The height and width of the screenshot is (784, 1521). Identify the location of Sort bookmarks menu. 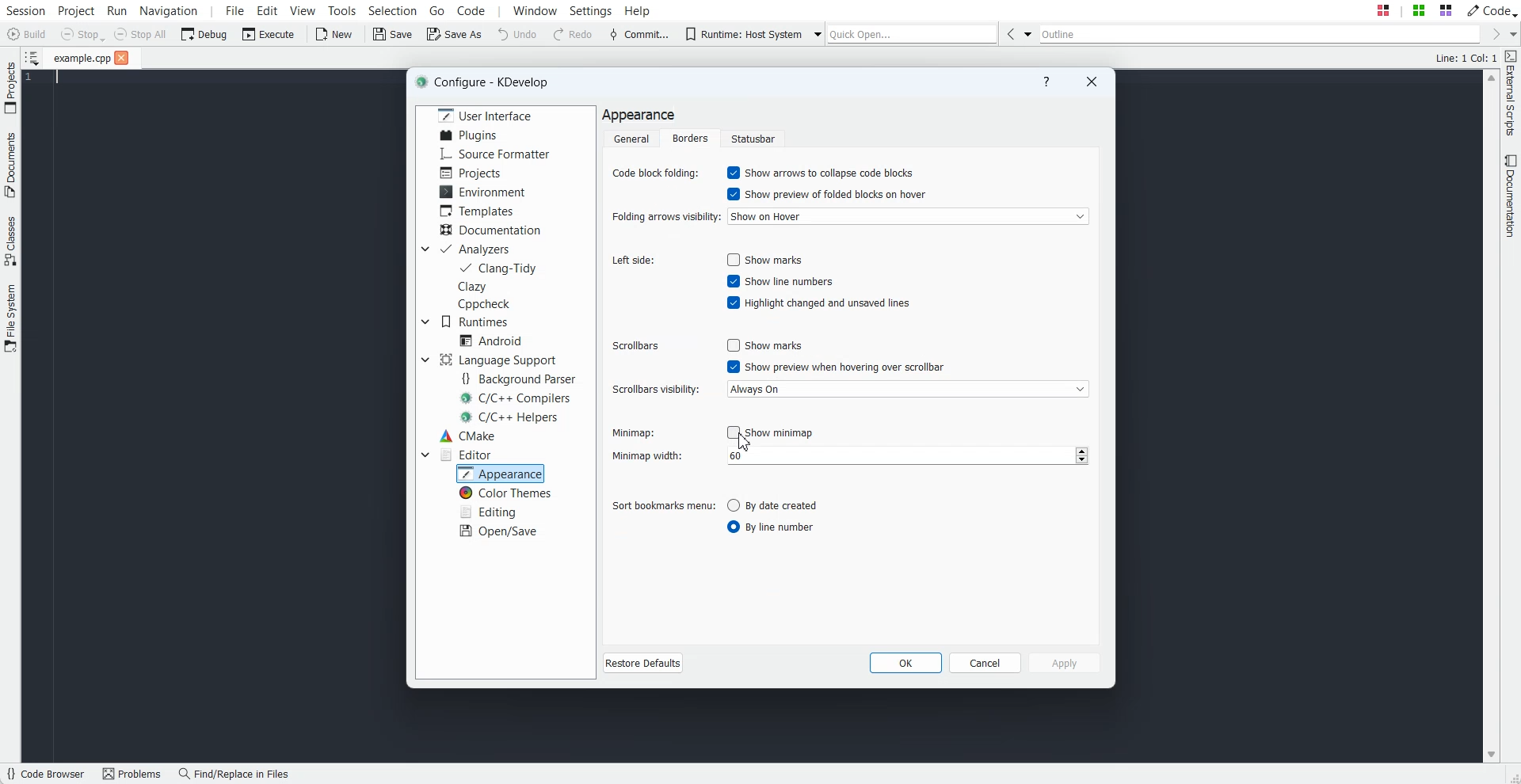
(662, 504).